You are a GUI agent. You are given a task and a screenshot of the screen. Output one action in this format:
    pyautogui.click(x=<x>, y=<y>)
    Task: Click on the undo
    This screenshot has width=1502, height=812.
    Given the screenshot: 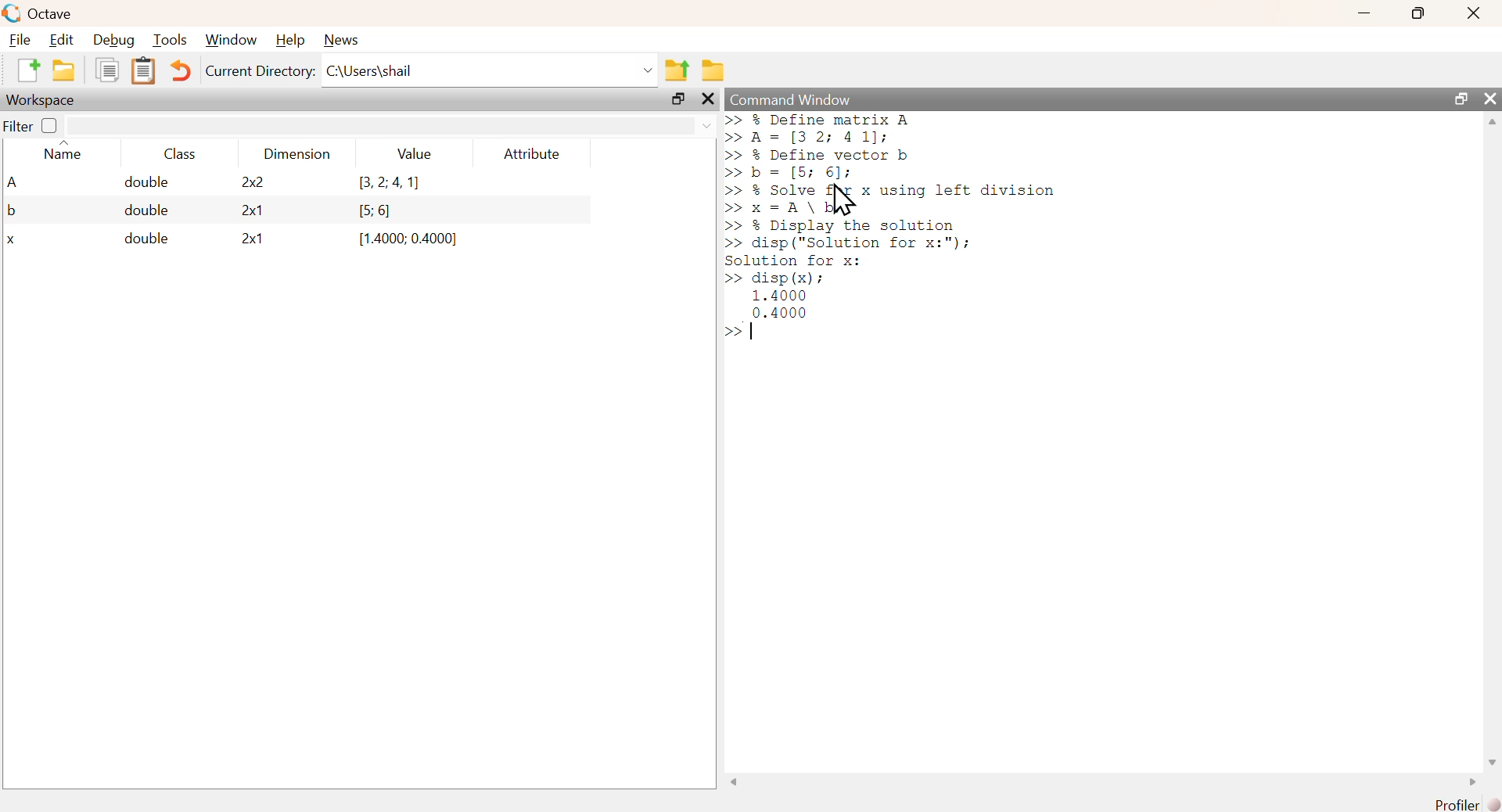 What is the action you would take?
    pyautogui.click(x=182, y=70)
    